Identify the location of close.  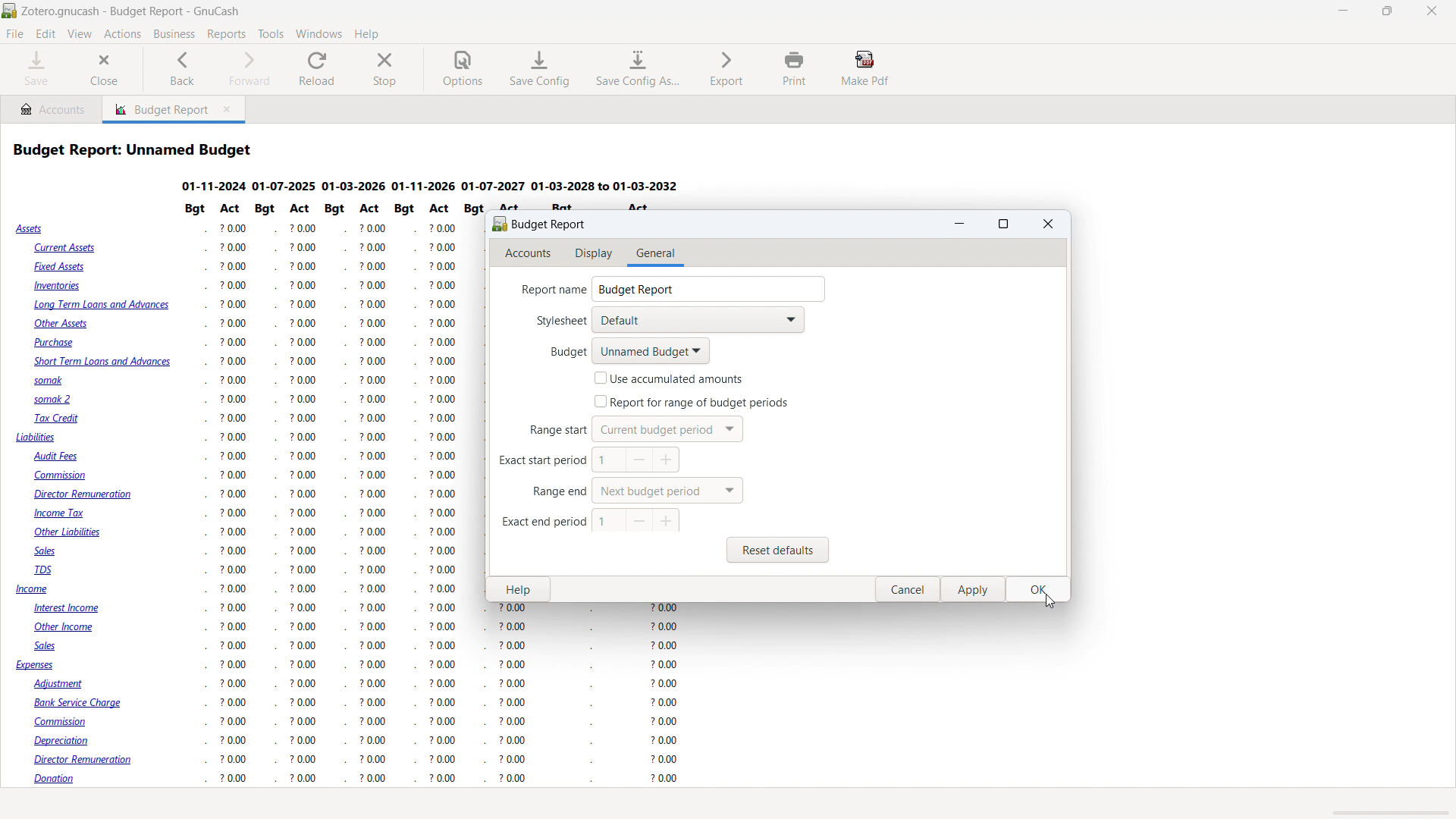
(1432, 11).